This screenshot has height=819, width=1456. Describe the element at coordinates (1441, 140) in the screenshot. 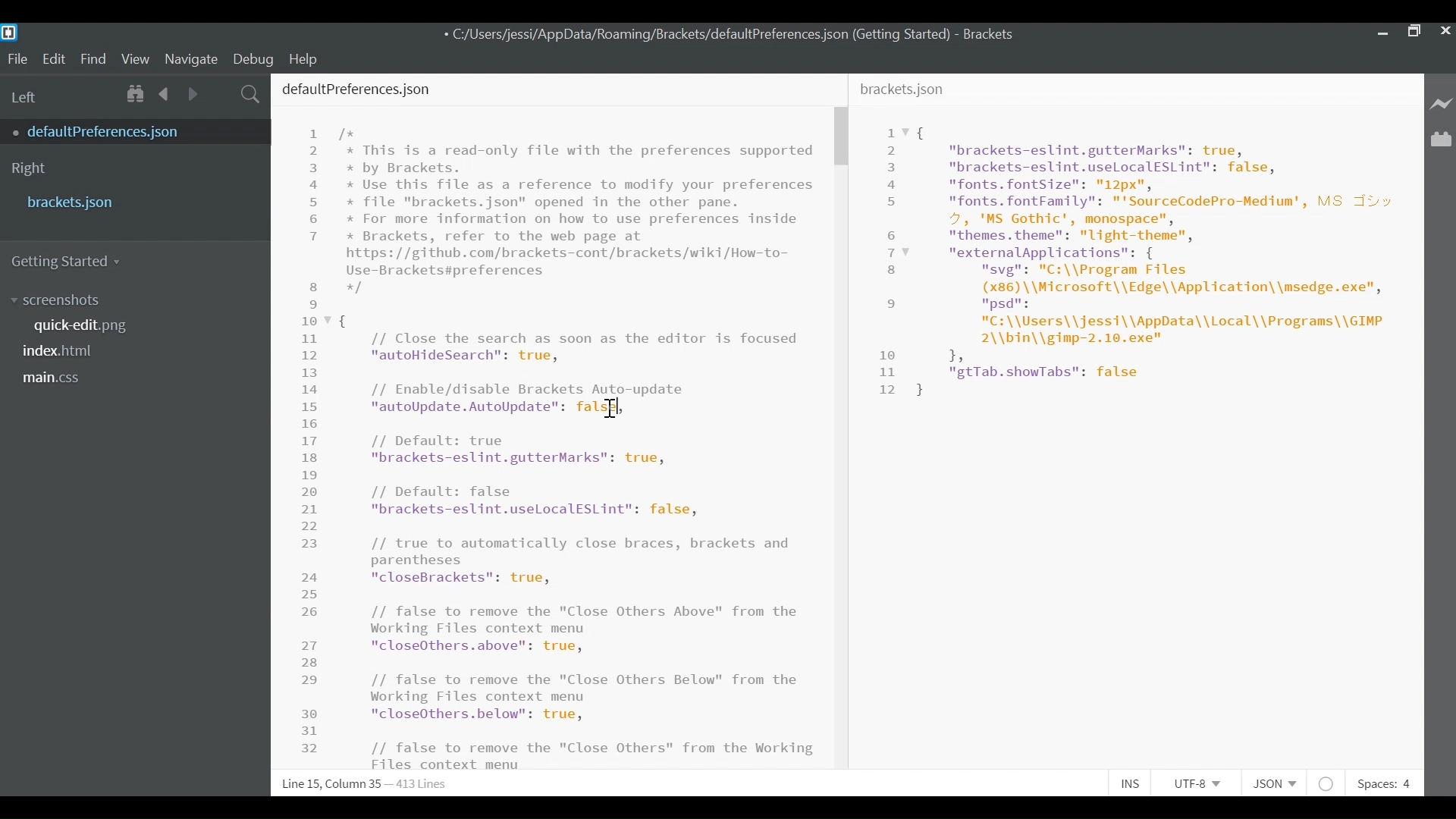

I see `Manage Extensions` at that location.